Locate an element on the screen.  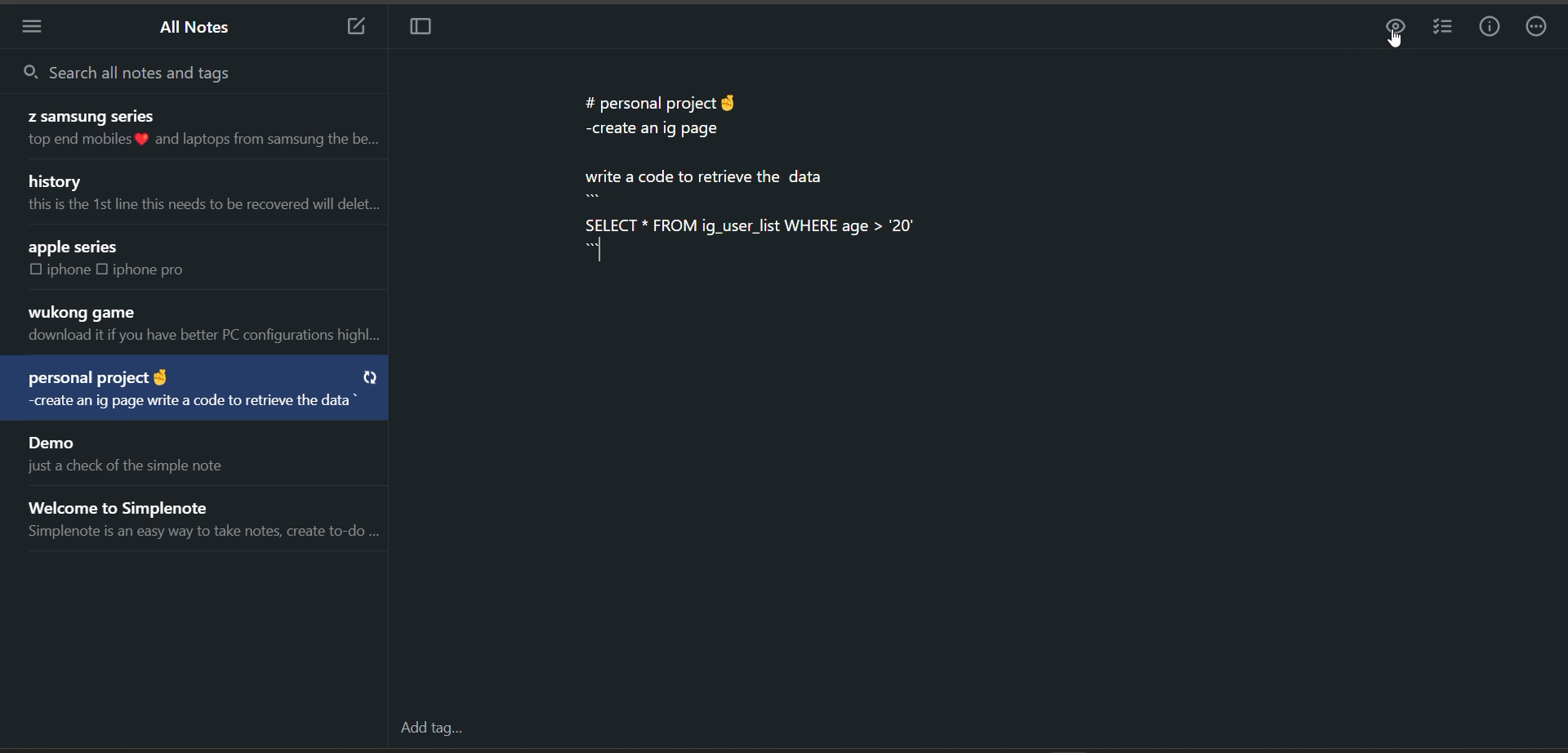
note title  and preview is located at coordinates (201, 325).